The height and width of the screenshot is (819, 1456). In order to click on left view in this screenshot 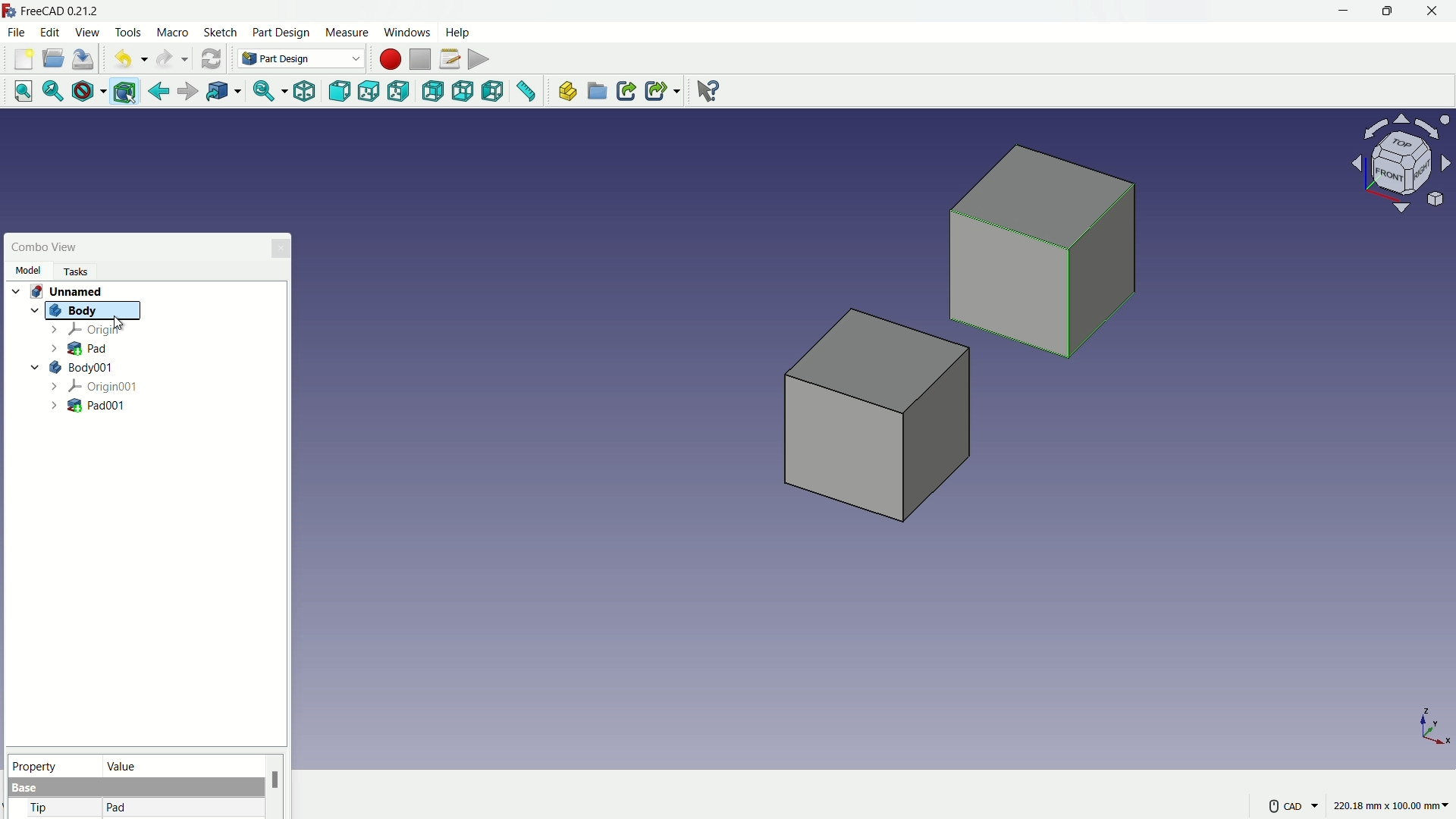, I will do `click(494, 93)`.